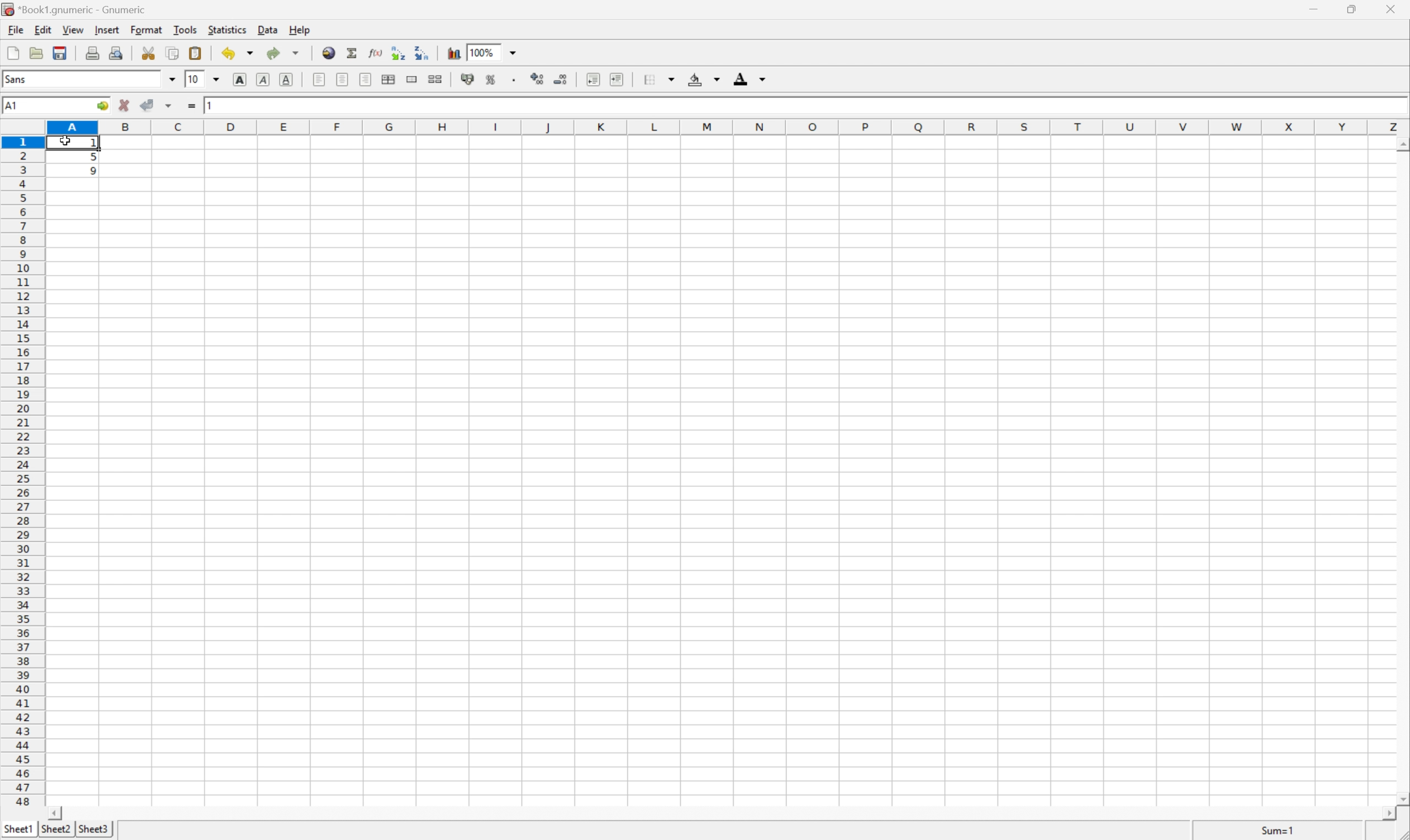  I want to click on insert hyperlink, so click(330, 52).